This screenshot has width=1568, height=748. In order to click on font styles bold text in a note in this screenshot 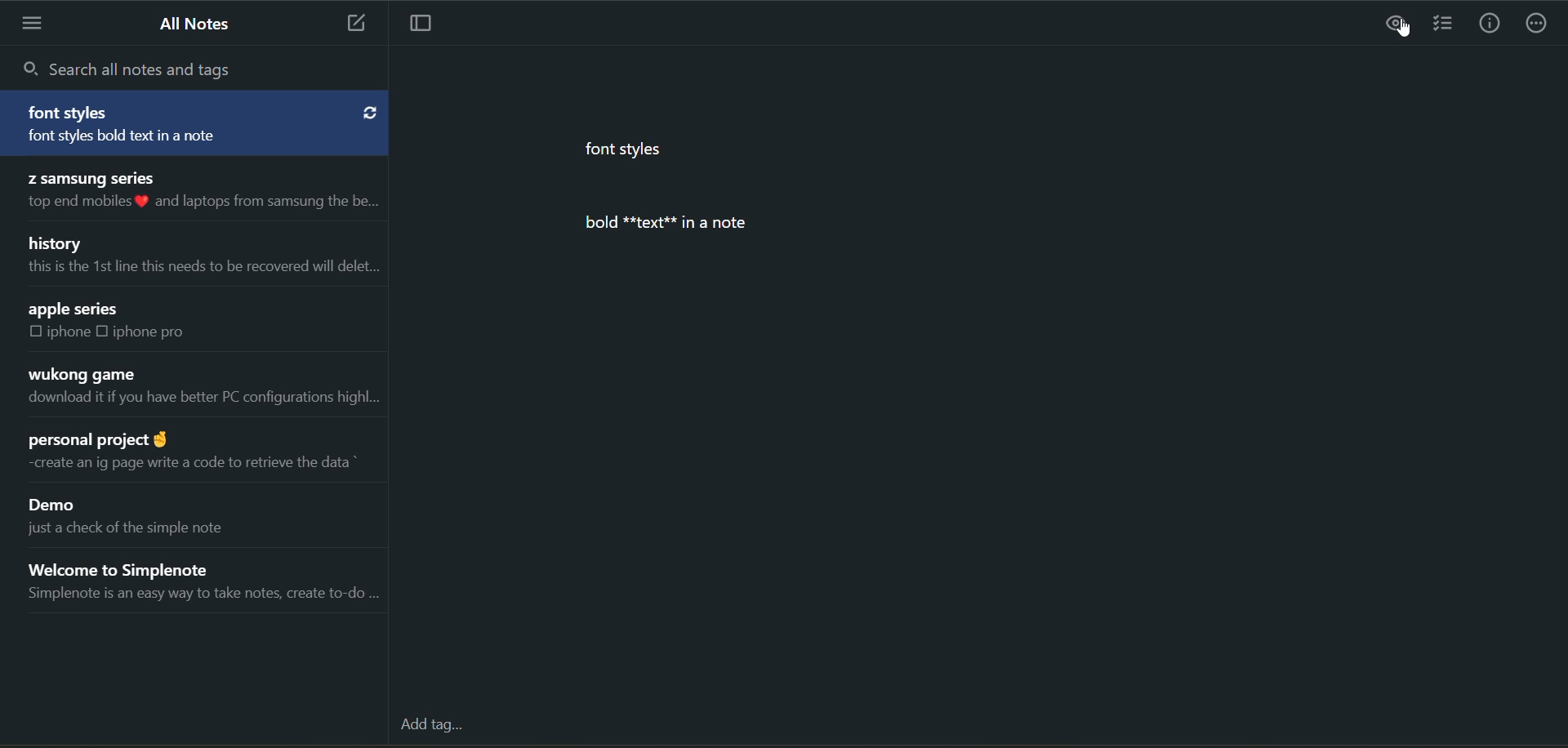, I will do `click(154, 138)`.